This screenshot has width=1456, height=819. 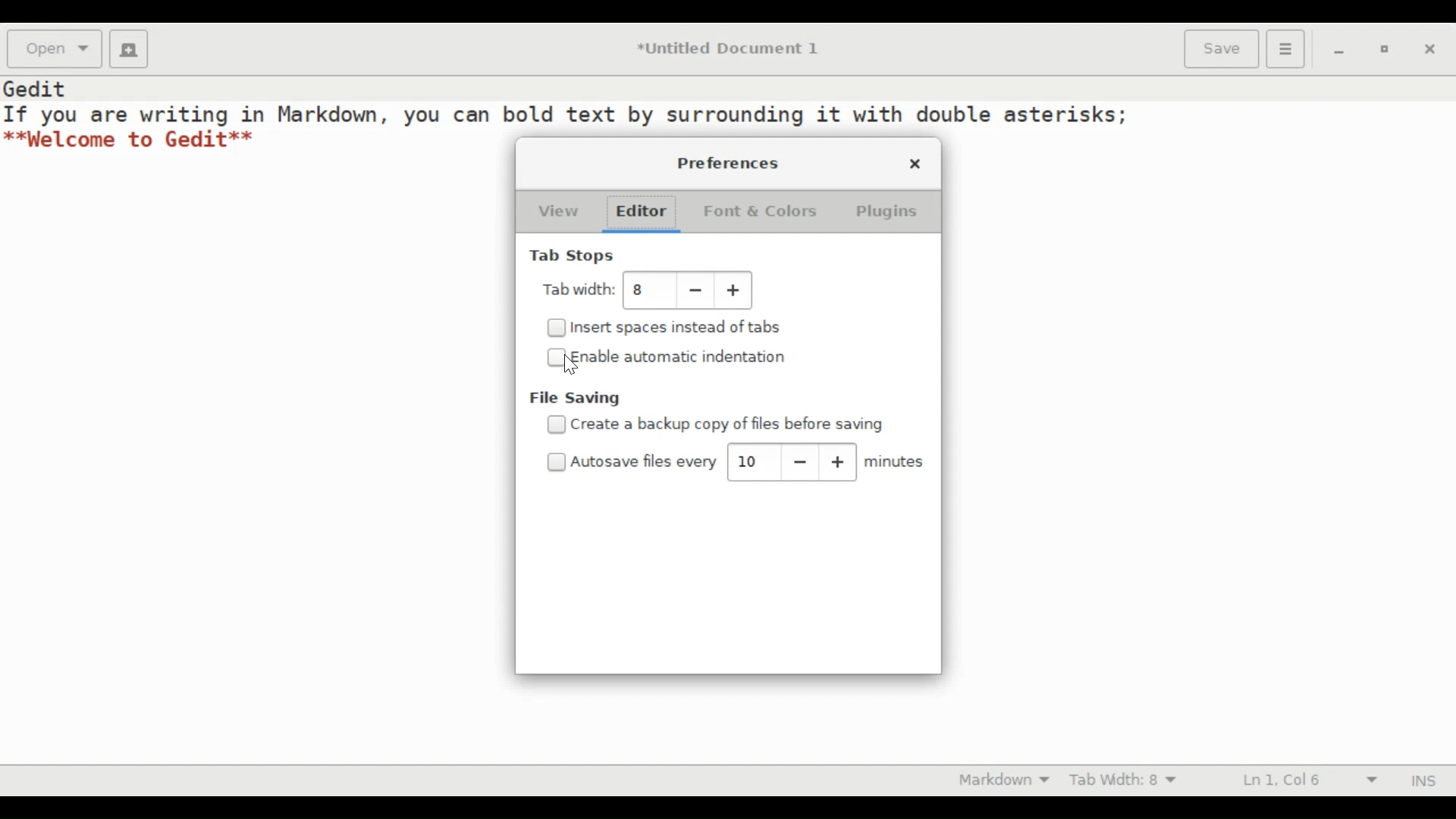 I want to click on *Untitled Document 1, so click(x=733, y=50).